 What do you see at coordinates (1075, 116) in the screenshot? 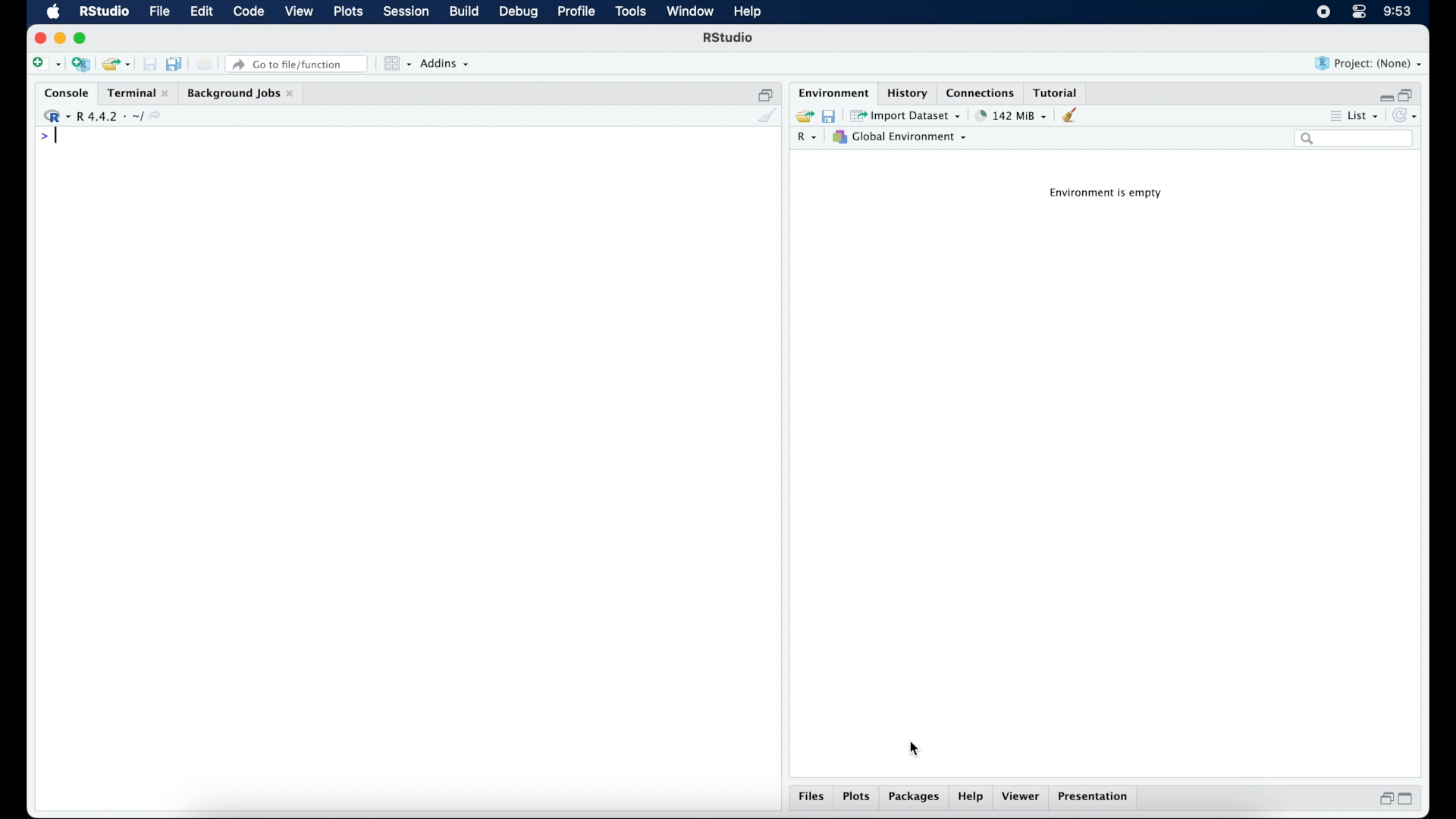
I see `clear` at bounding box center [1075, 116].